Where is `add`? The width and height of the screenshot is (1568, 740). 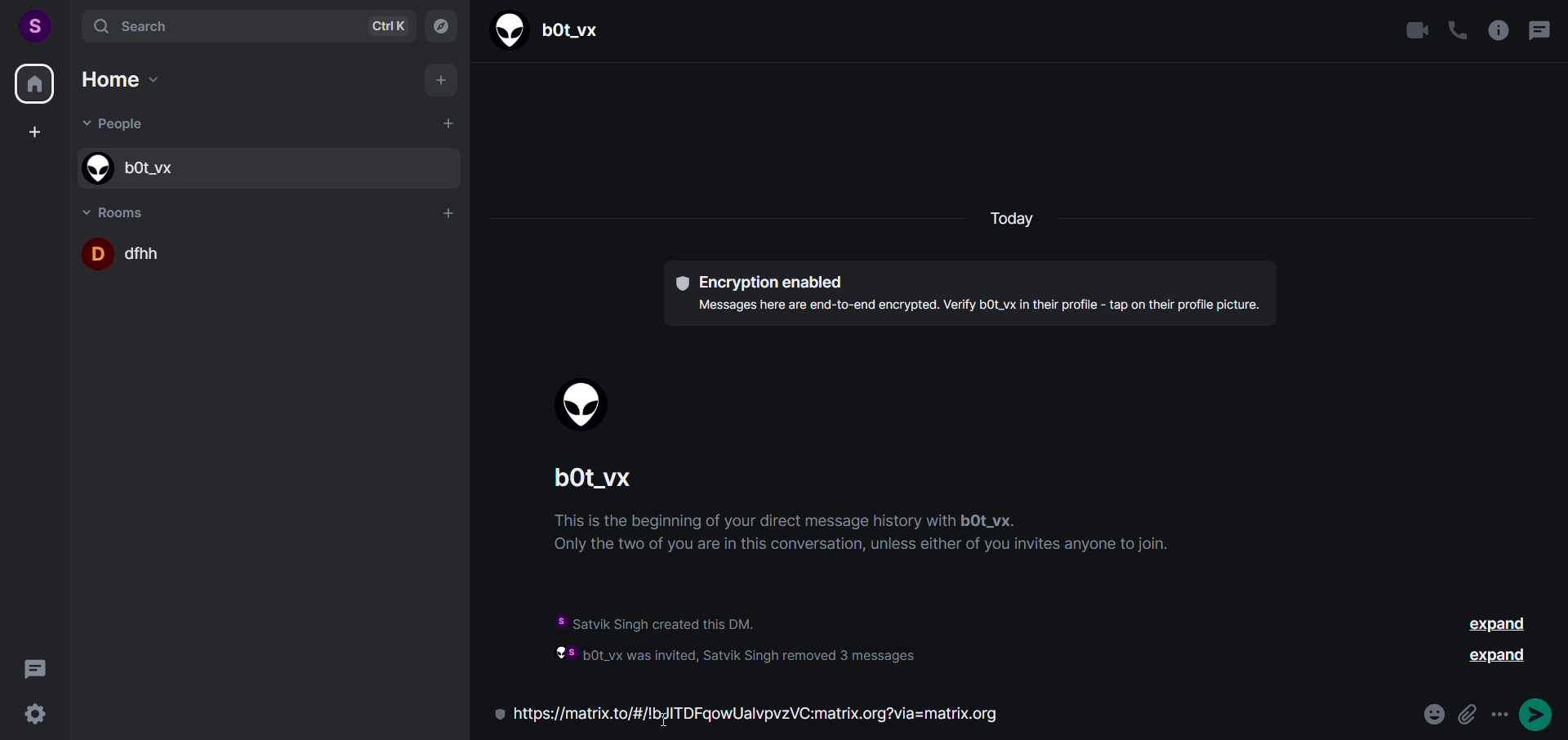
add is located at coordinates (443, 82).